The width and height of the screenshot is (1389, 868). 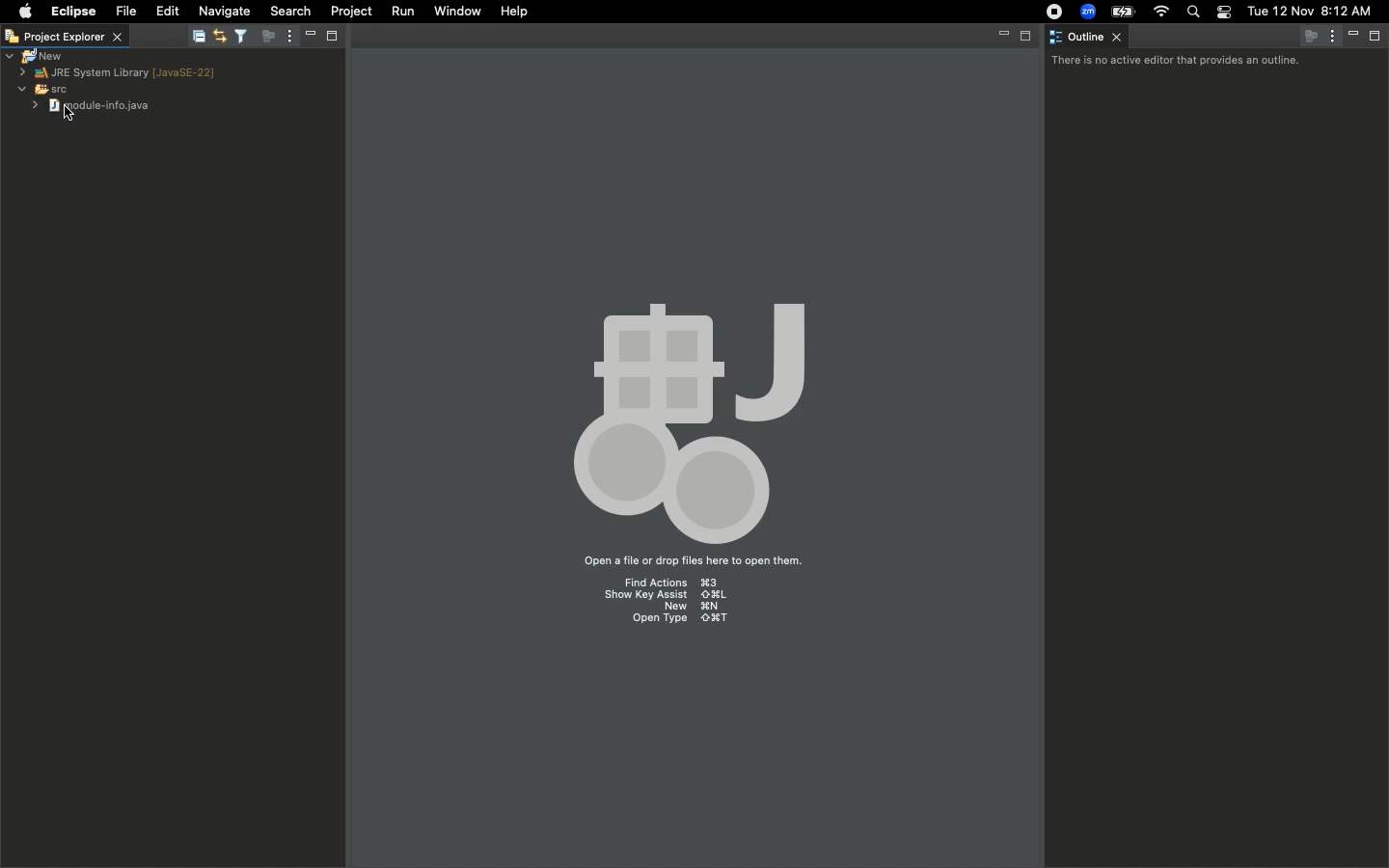 What do you see at coordinates (515, 12) in the screenshot?
I see `Help` at bounding box center [515, 12].